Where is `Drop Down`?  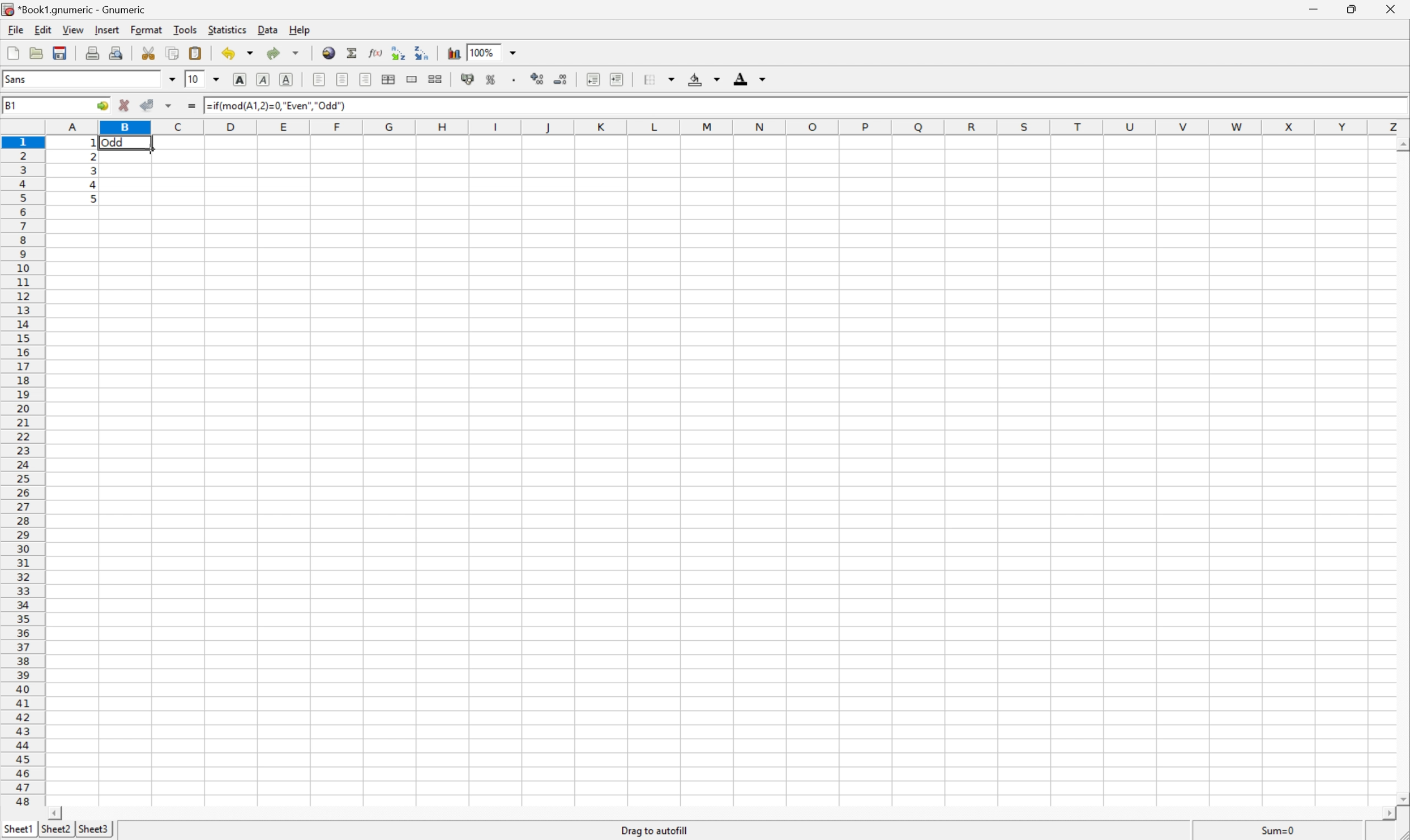
Drop Down is located at coordinates (512, 53).